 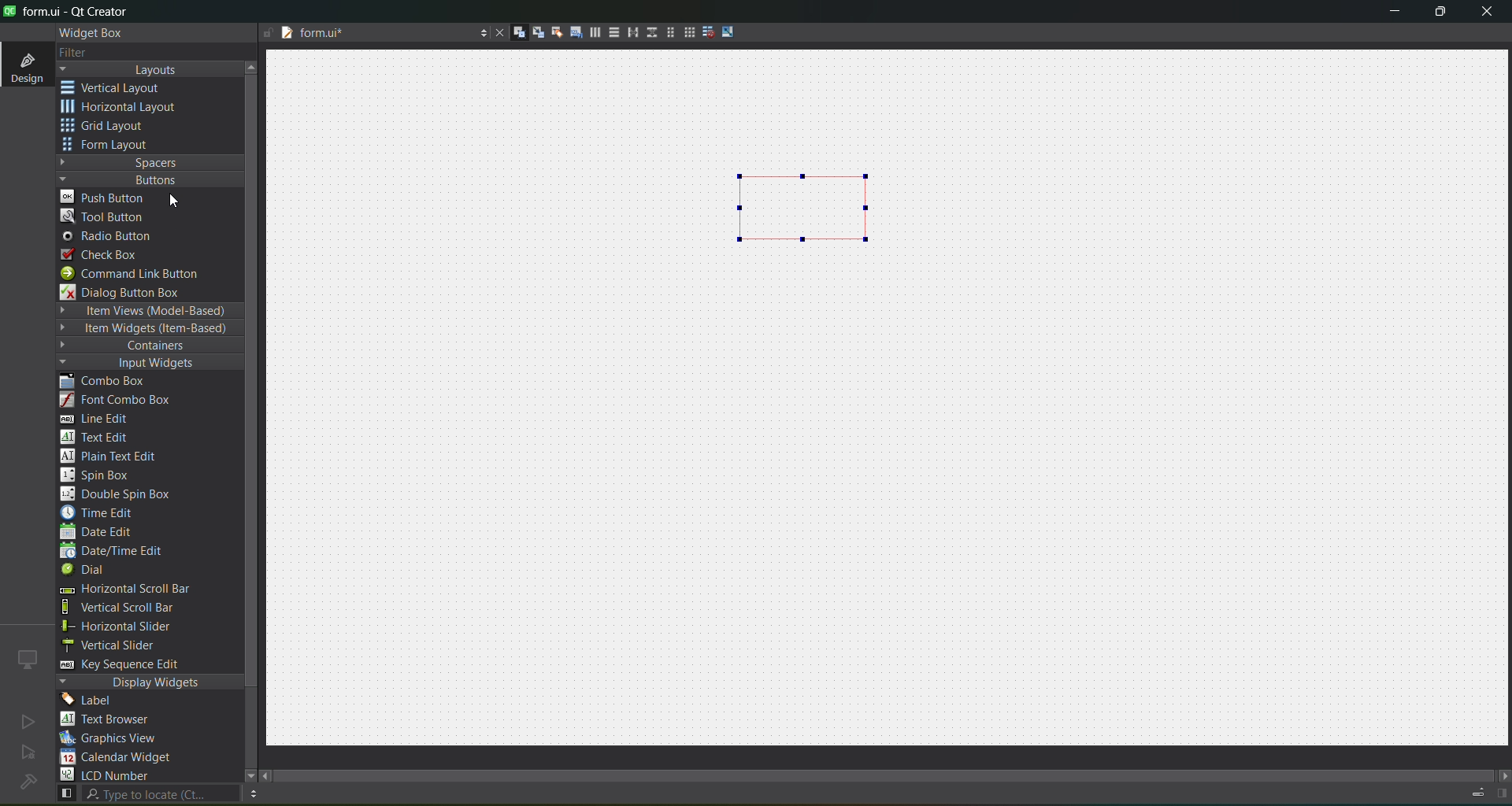 I want to click on time edit, so click(x=102, y=512).